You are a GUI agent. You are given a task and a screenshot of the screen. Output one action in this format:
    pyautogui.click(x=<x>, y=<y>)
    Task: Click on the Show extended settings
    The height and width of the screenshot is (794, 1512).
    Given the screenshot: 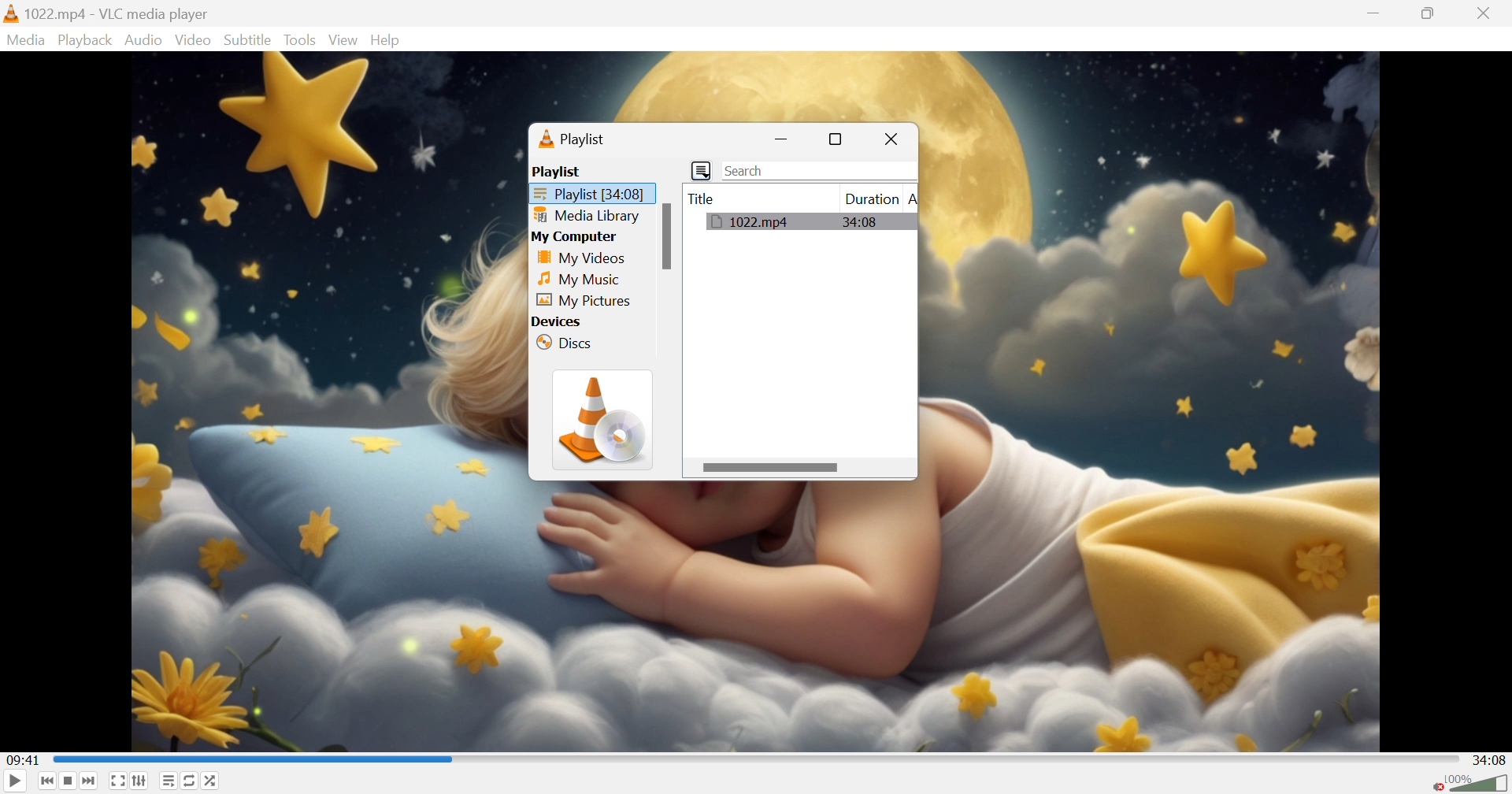 What is the action you would take?
    pyautogui.click(x=143, y=781)
    